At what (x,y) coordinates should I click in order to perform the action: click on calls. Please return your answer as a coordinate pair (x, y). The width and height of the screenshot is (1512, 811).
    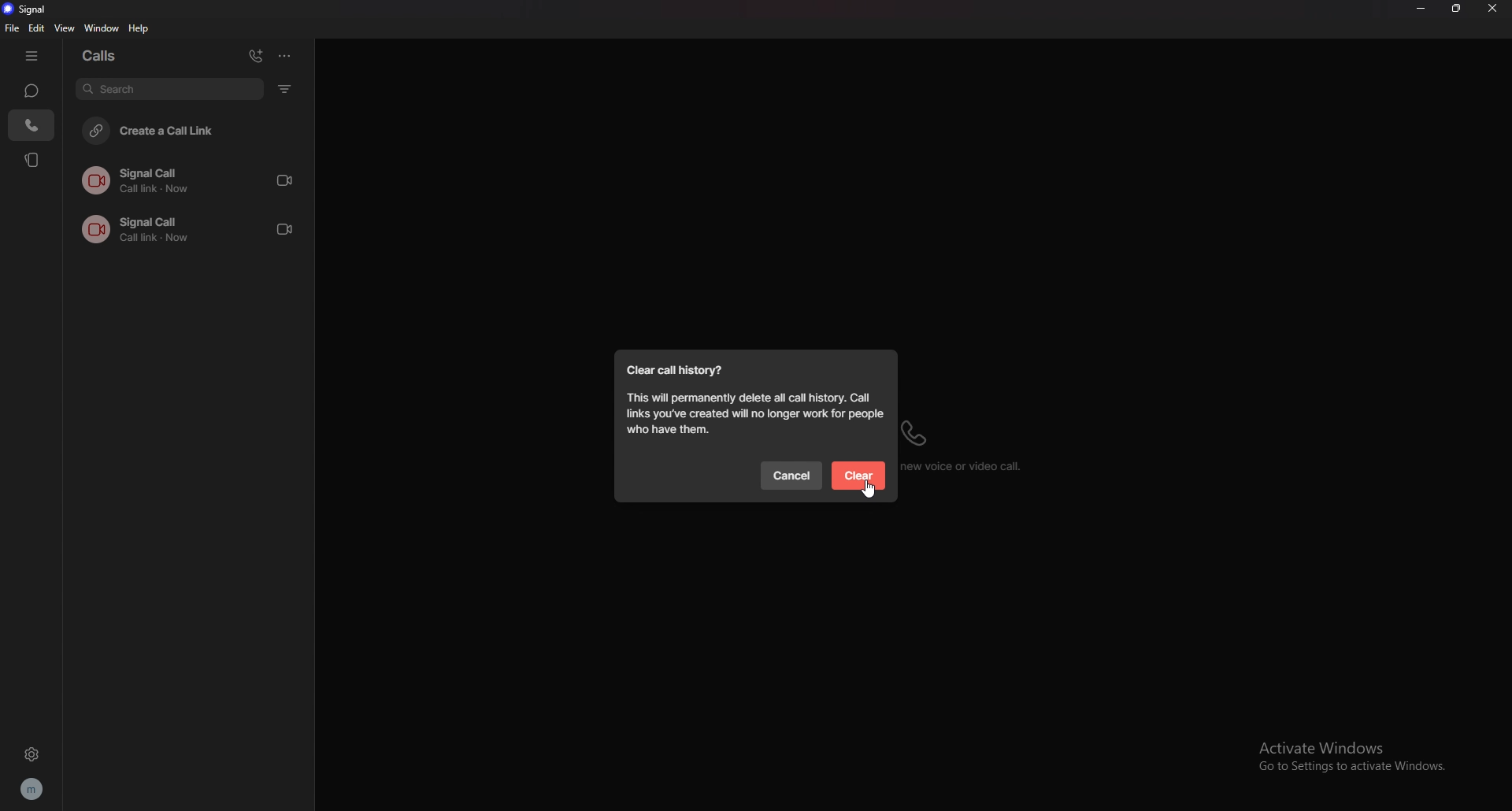
    Looking at the image, I should click on (121, 55).